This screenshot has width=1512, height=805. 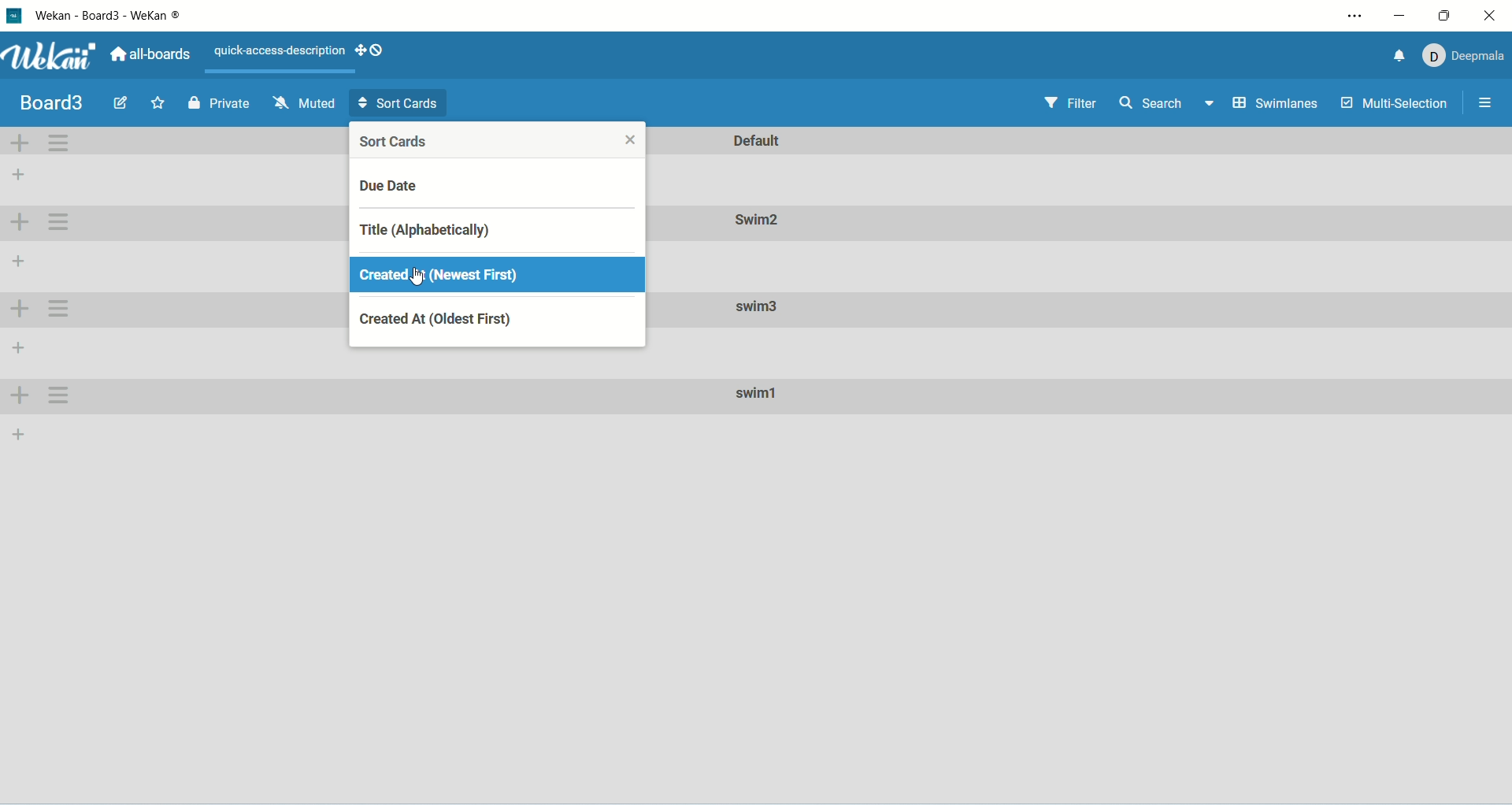 I want to click on account, so click(x=1462, y=54).